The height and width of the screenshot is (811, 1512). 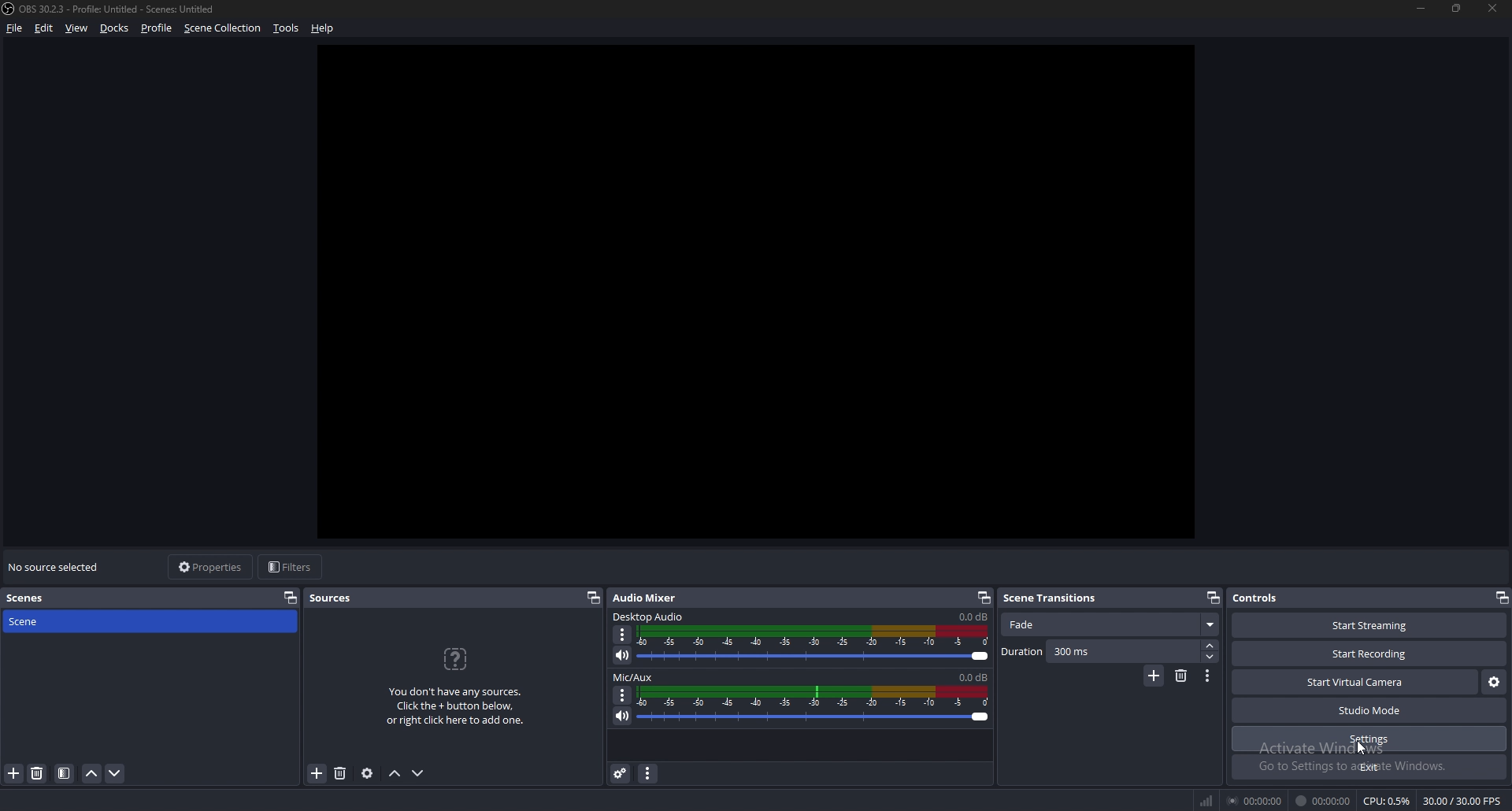 What do you see at coordinates (1493, 683) in the screenshot?
I see `virtual camera settings` at bounding box center [1493, 683].